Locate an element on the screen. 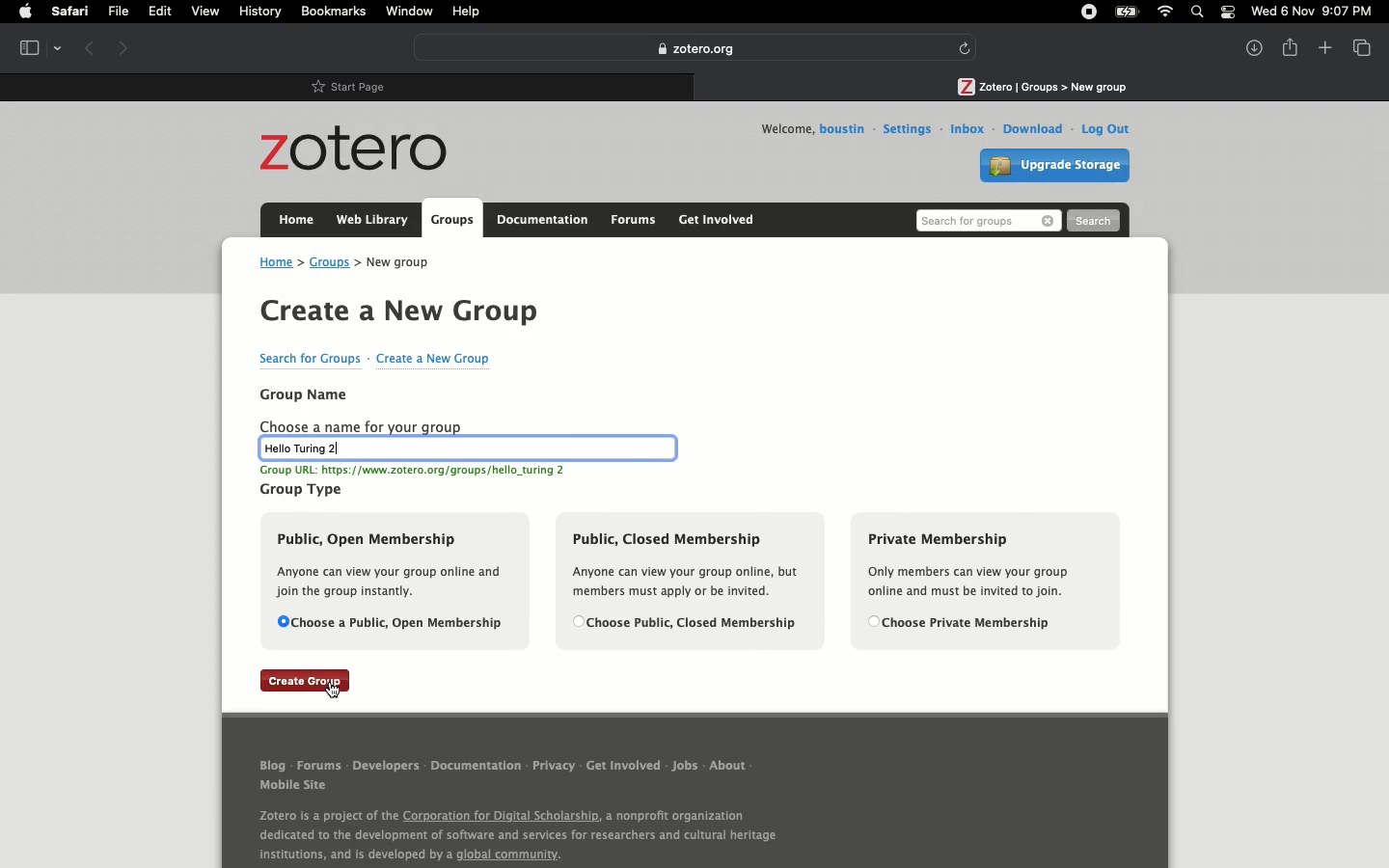 This screenshot has width=1389, height=868. Home is located at coordinates (292, 218).